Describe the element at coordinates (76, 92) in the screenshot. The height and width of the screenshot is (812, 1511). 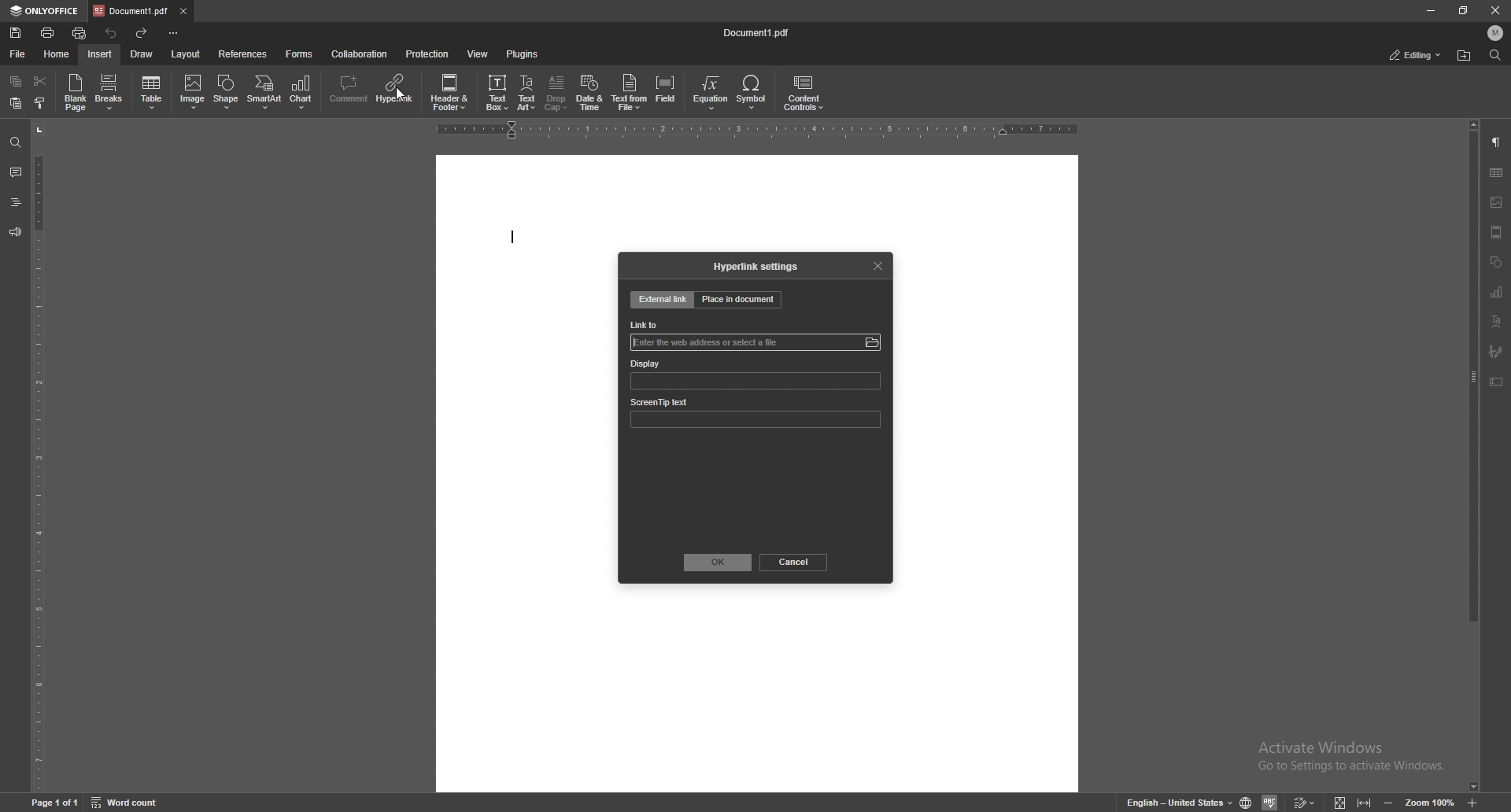
I see `blank page` at that location.